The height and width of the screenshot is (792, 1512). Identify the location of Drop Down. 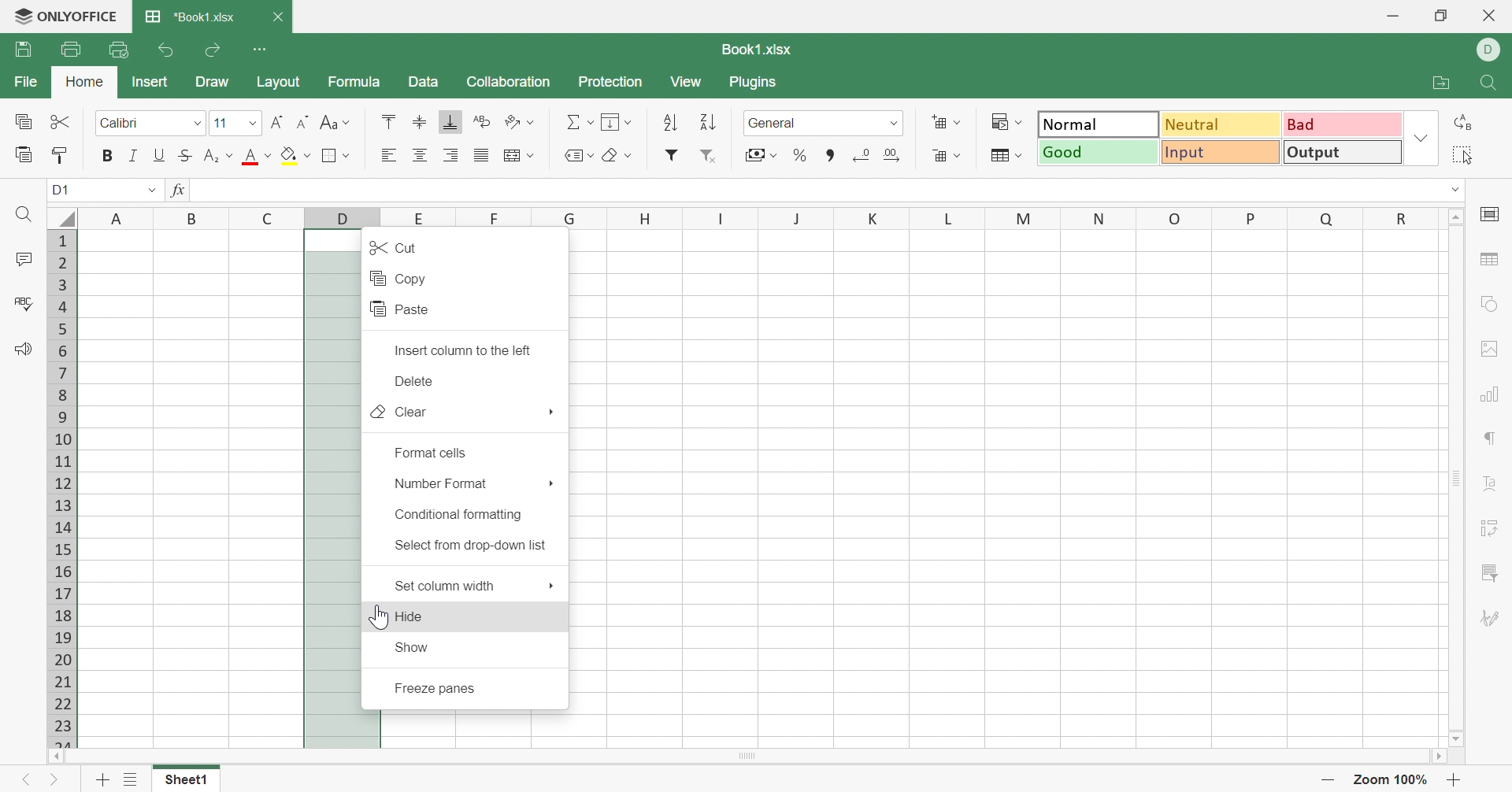
(593, 155).